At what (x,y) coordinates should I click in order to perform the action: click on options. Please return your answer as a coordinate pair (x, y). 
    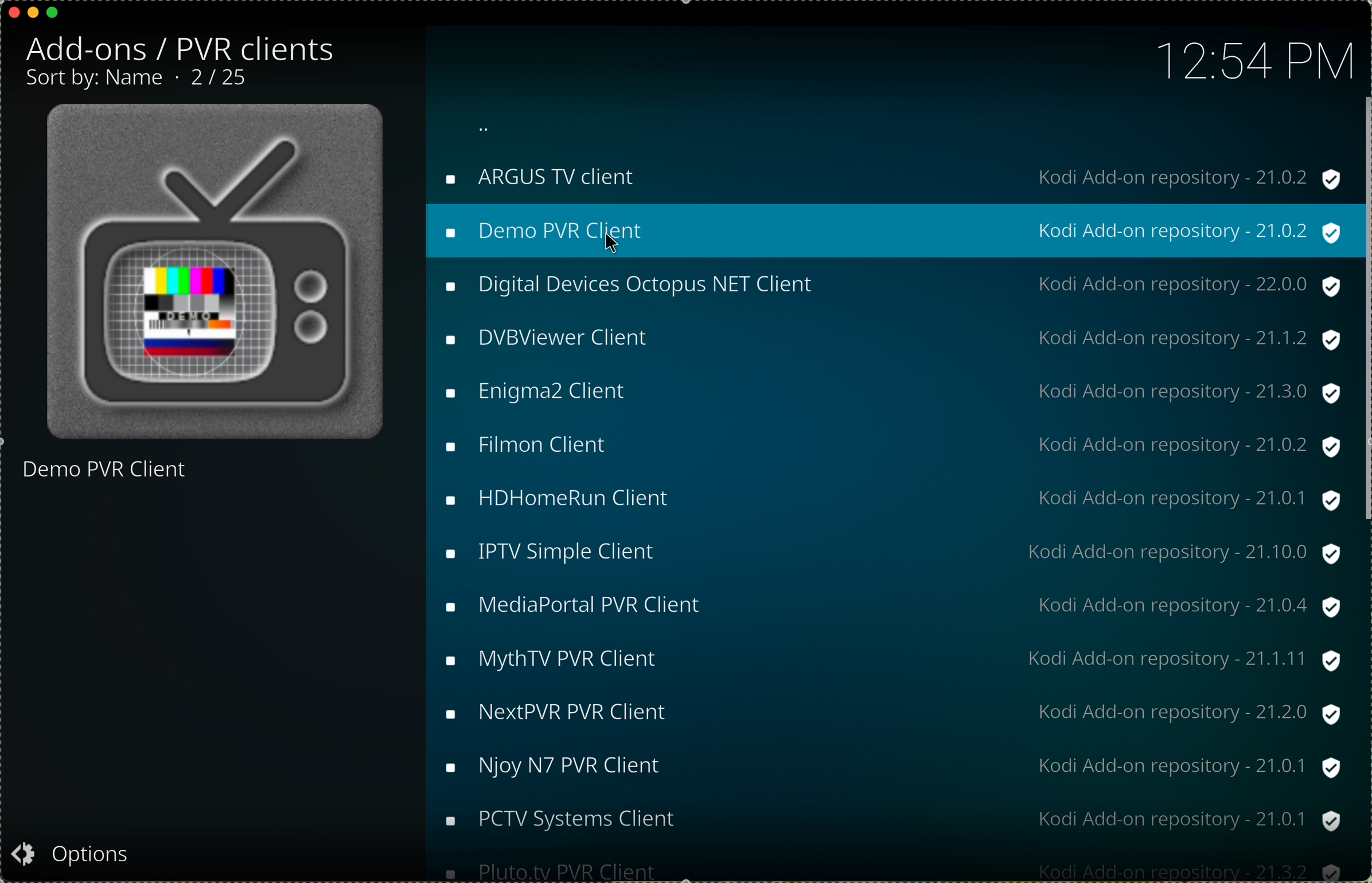
    Looking at the image, I should click on (75, 853).